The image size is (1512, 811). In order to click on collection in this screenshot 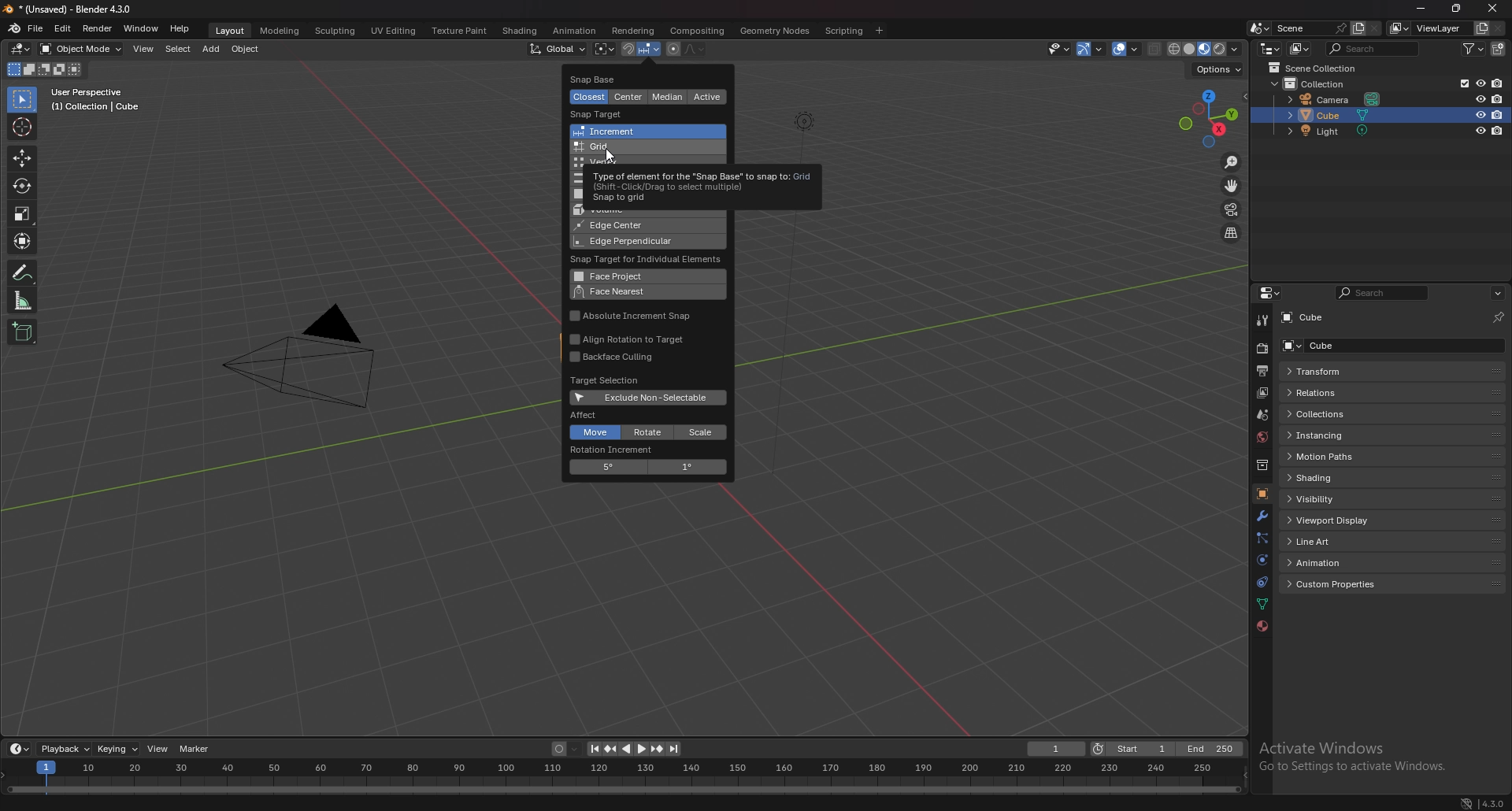, I will do `click(1262, 465)`.